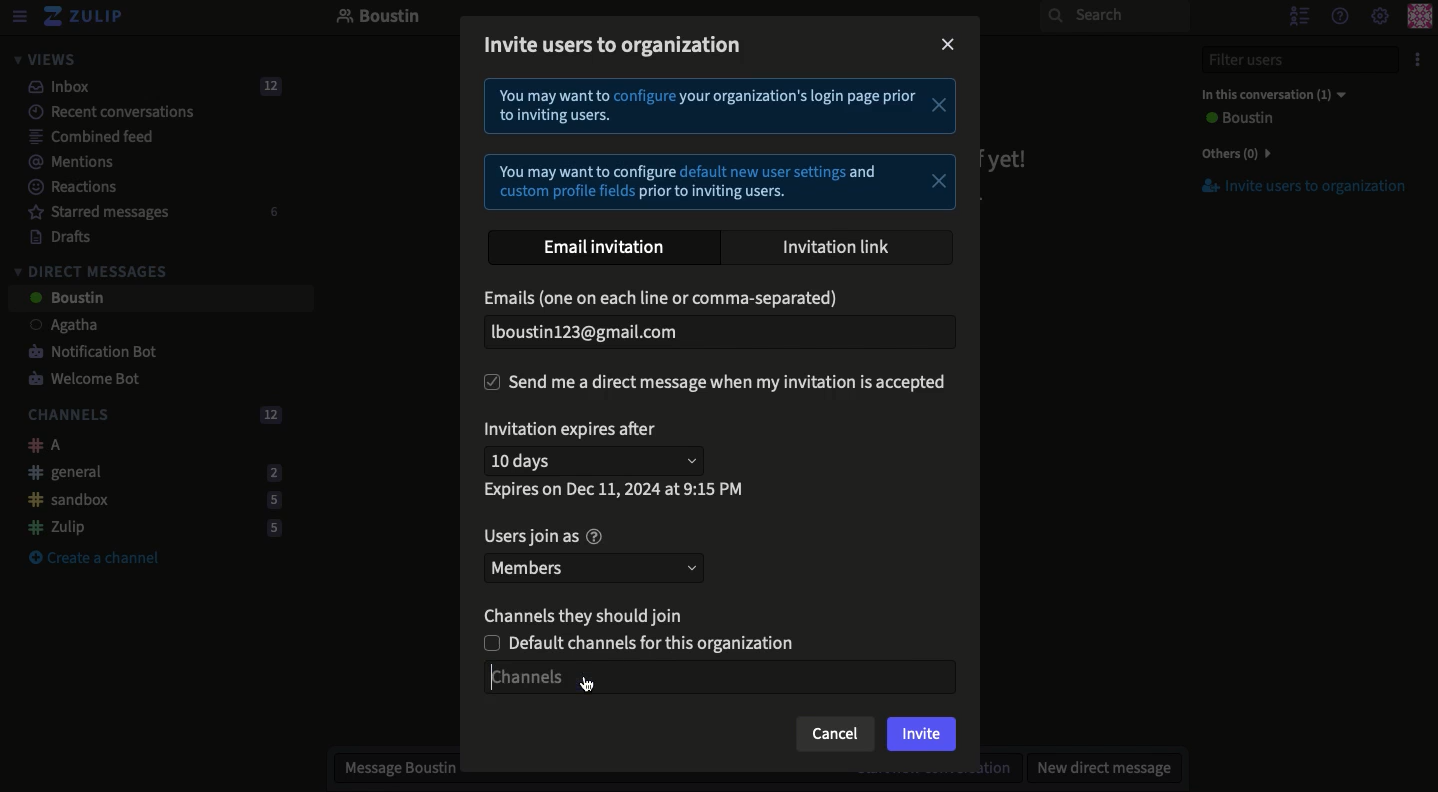 The image size is (1438, 792). Describe the element at coordinates (616, 489) in the screenshot. I see `Expires on data` at that location.